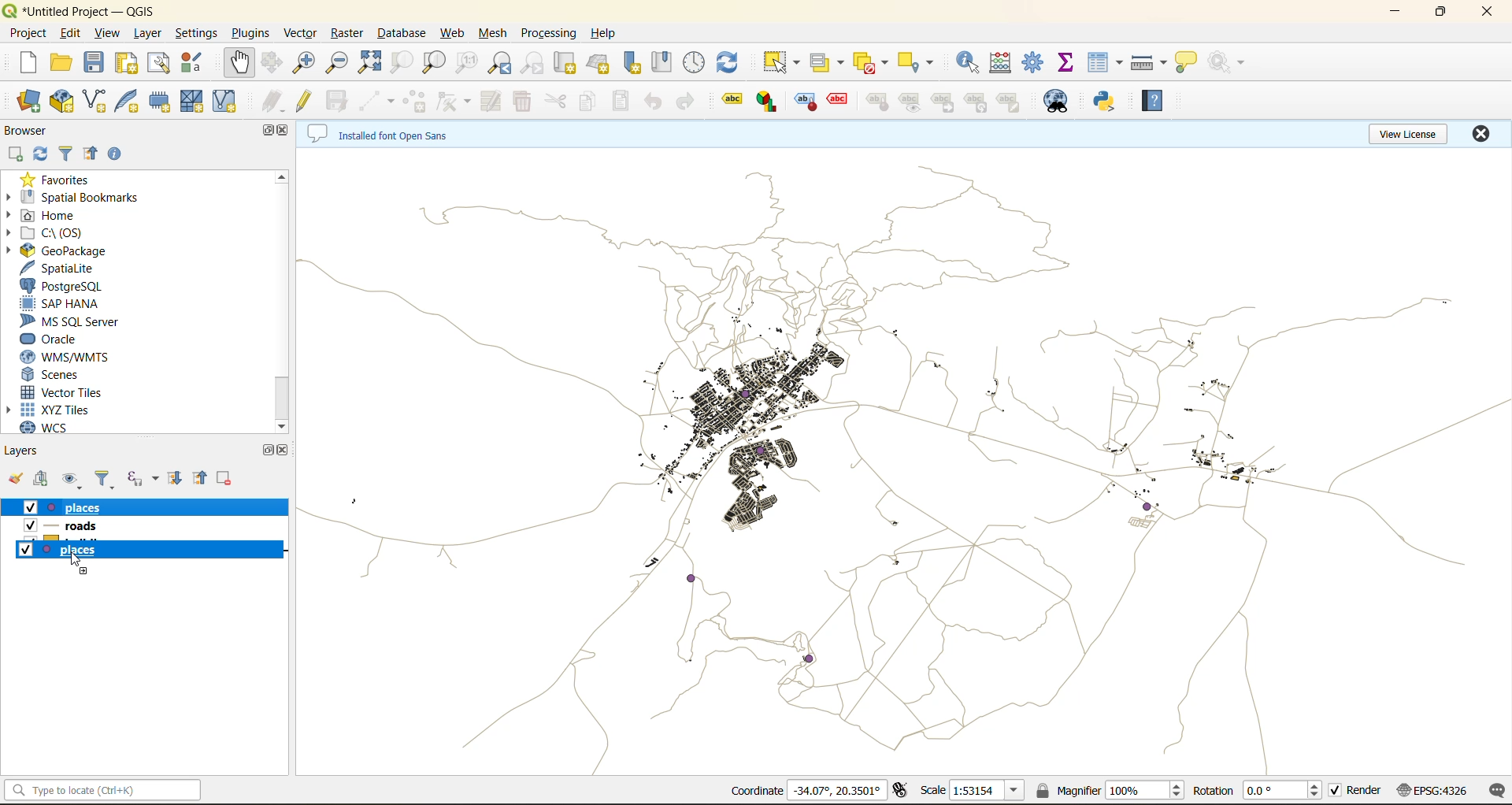 The width and height of the screenshot is (1512, 805). What do you see at coordinates (251, 32) in the screenshot?
I see `plugins` at bounding box center [251, 32].